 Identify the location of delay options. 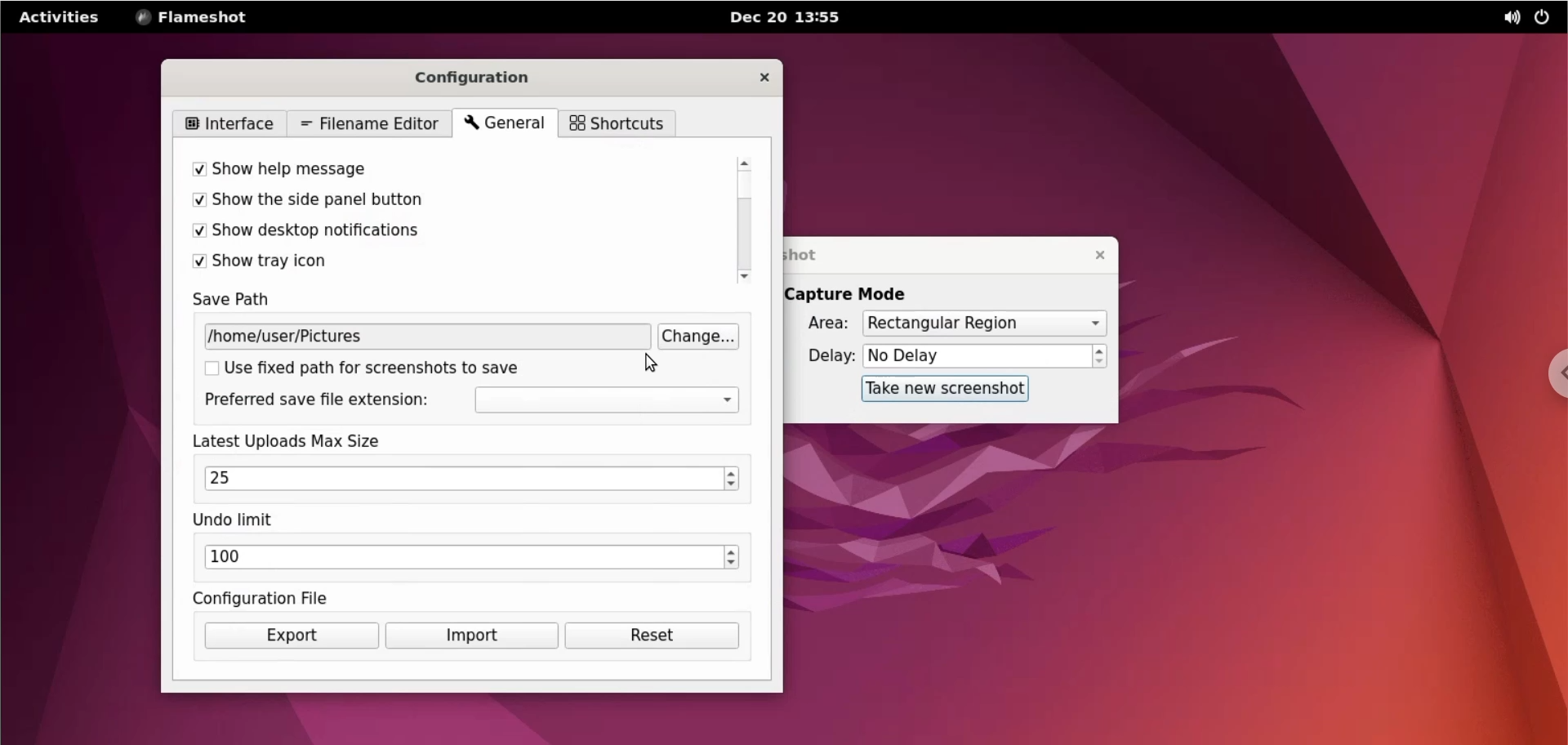
(976, 356).